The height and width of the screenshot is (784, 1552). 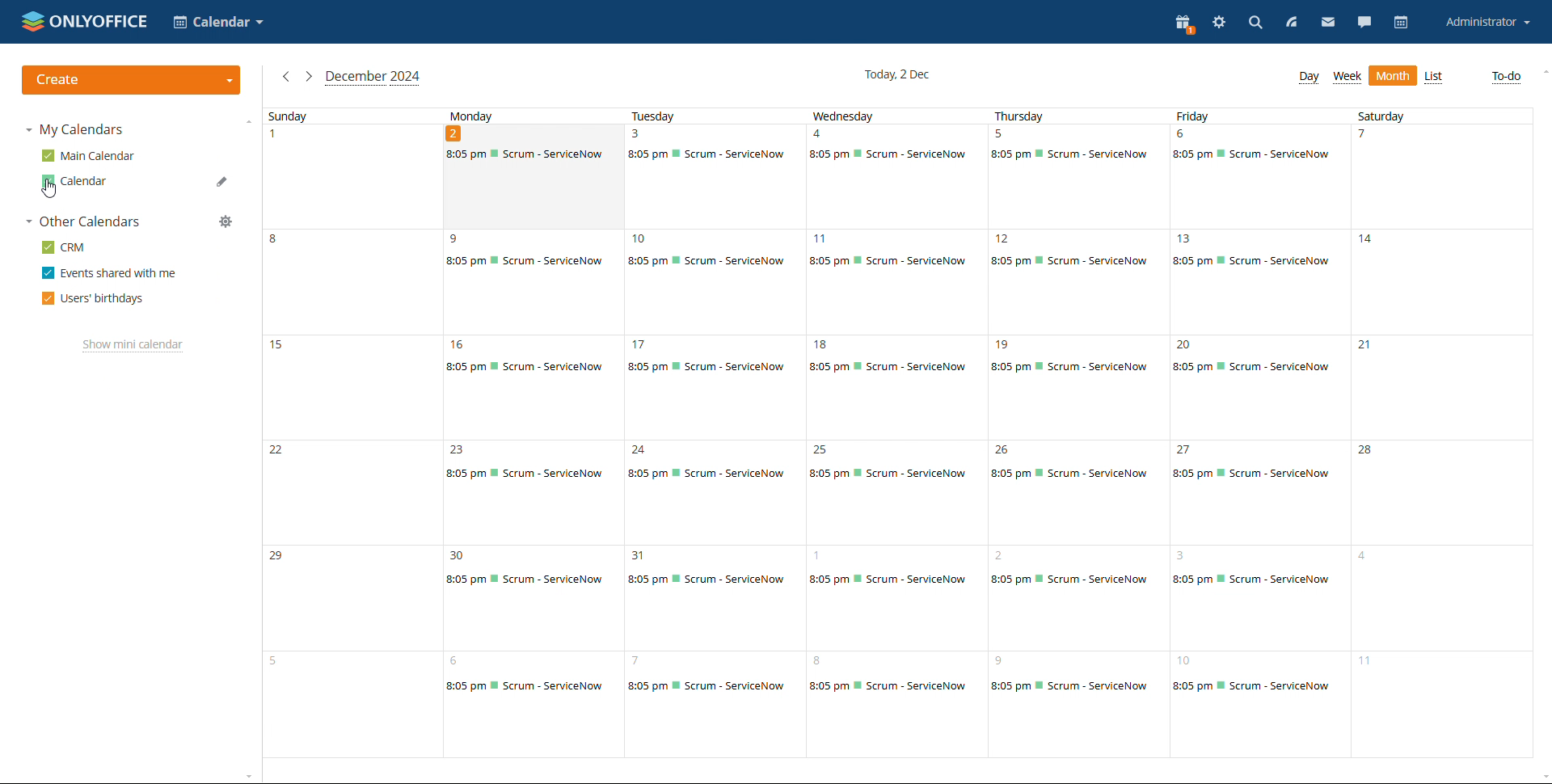 What do you see at coordinates (1483, 23) in the screenshot?
I see `account` at bounding box center [1483, 23].